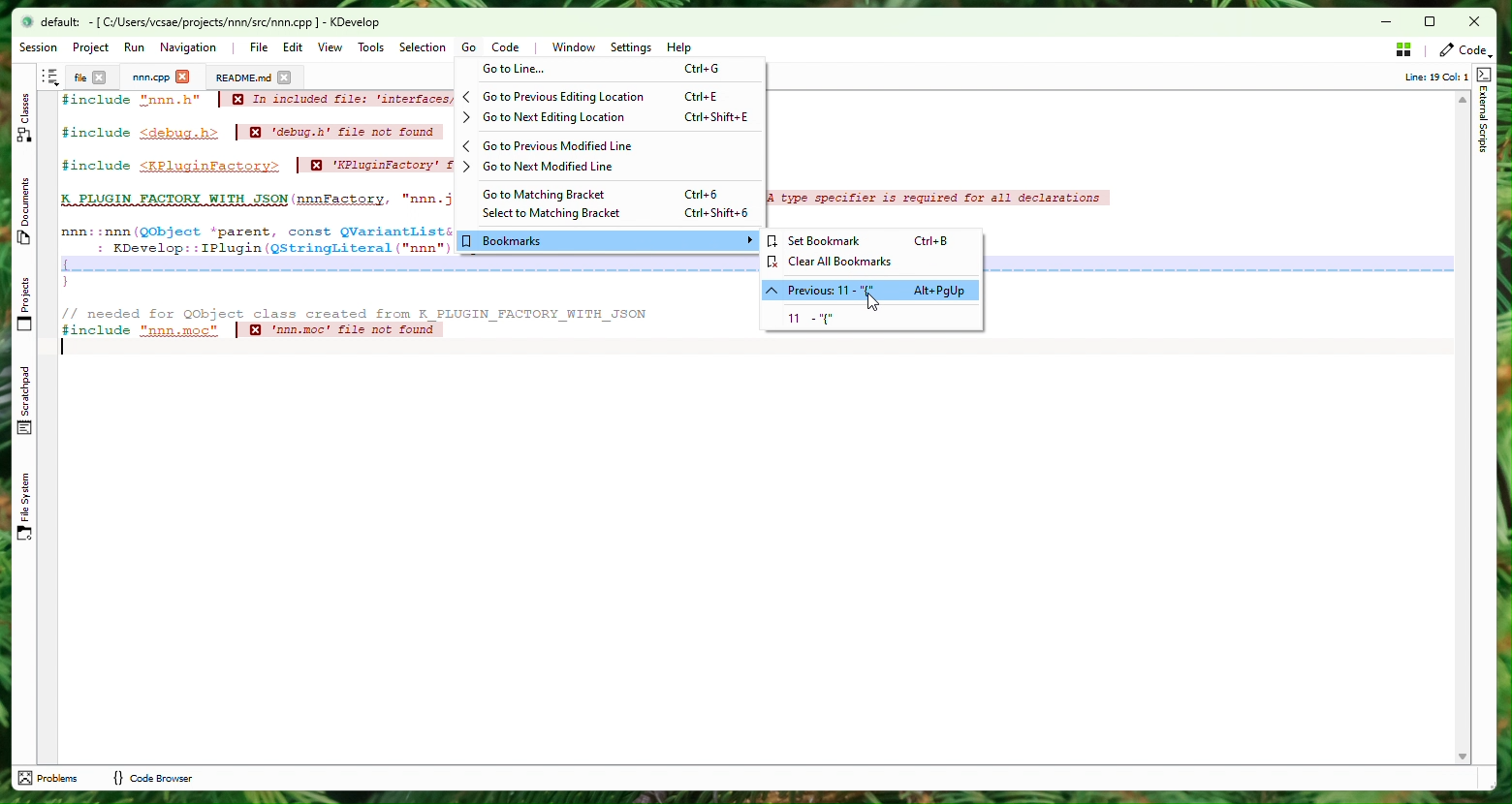 Image resolution: width=1512 pixels, height=804 pixels. What do you see at coordinates (869, 290) in the screenshot?
I see `Previous` at bounding box center [869, 290].